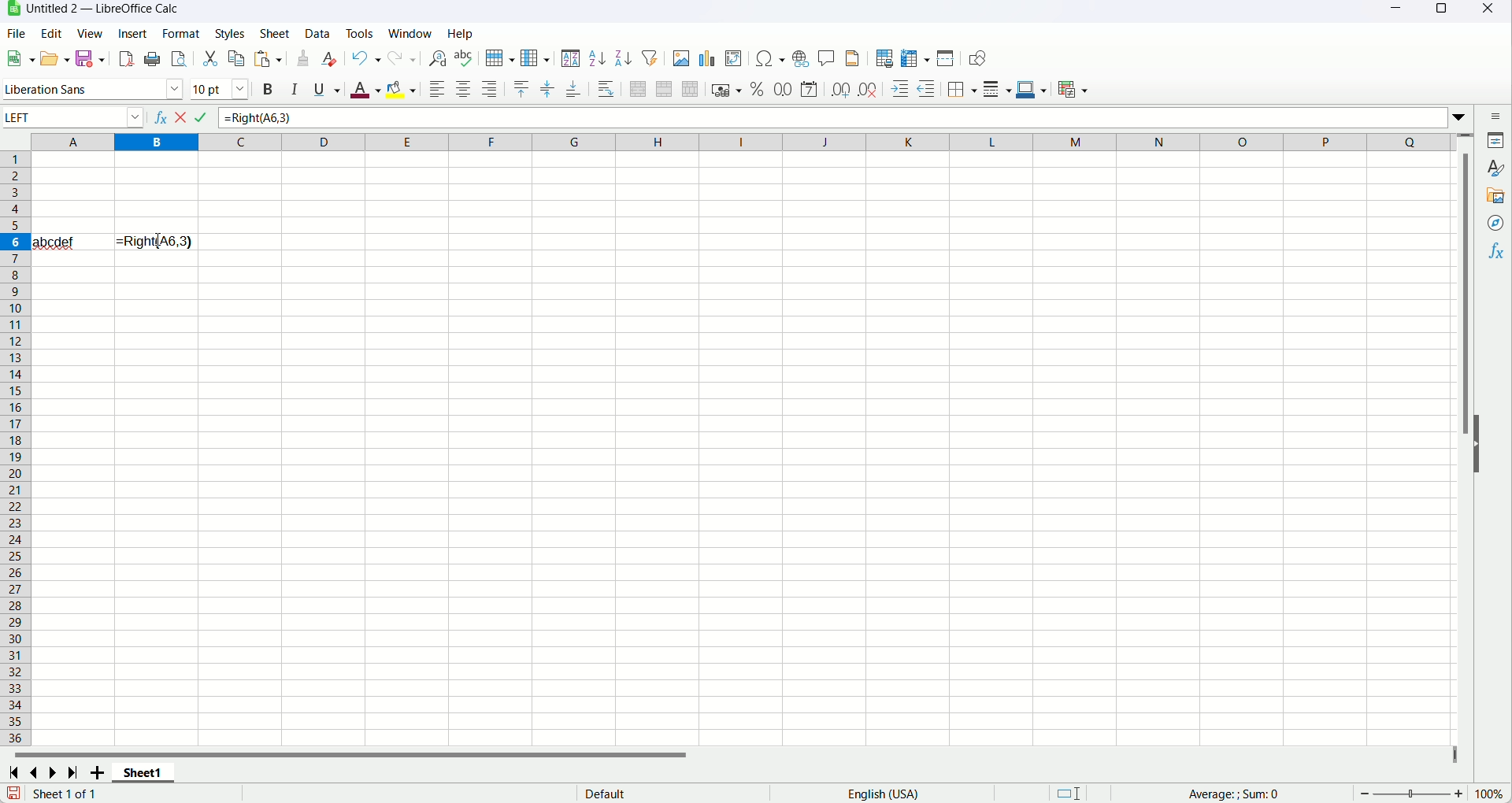  I want to click on format as currency, so click(728, 88).